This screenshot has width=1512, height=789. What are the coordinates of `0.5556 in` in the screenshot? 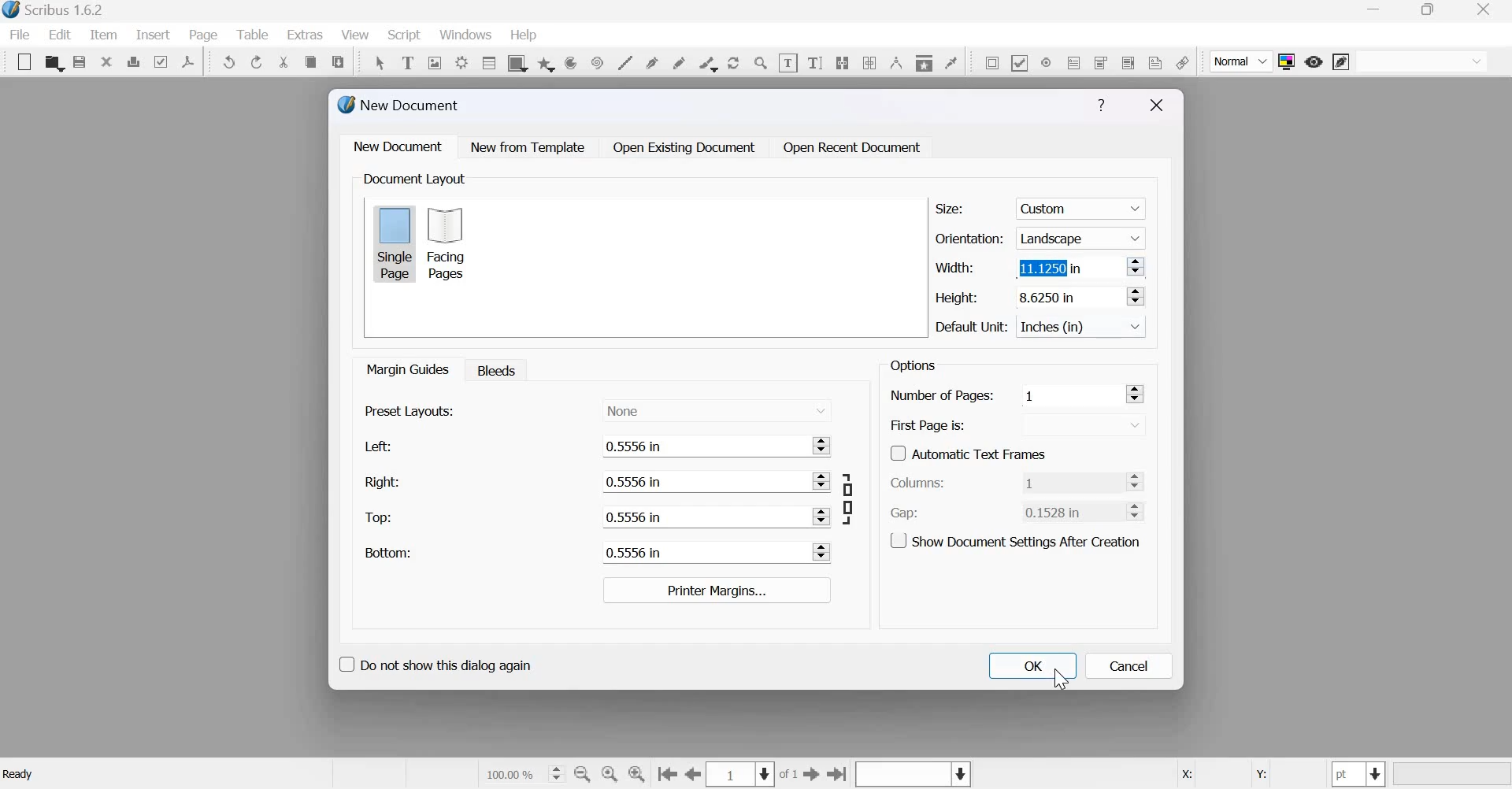 It's located at (703, 446).